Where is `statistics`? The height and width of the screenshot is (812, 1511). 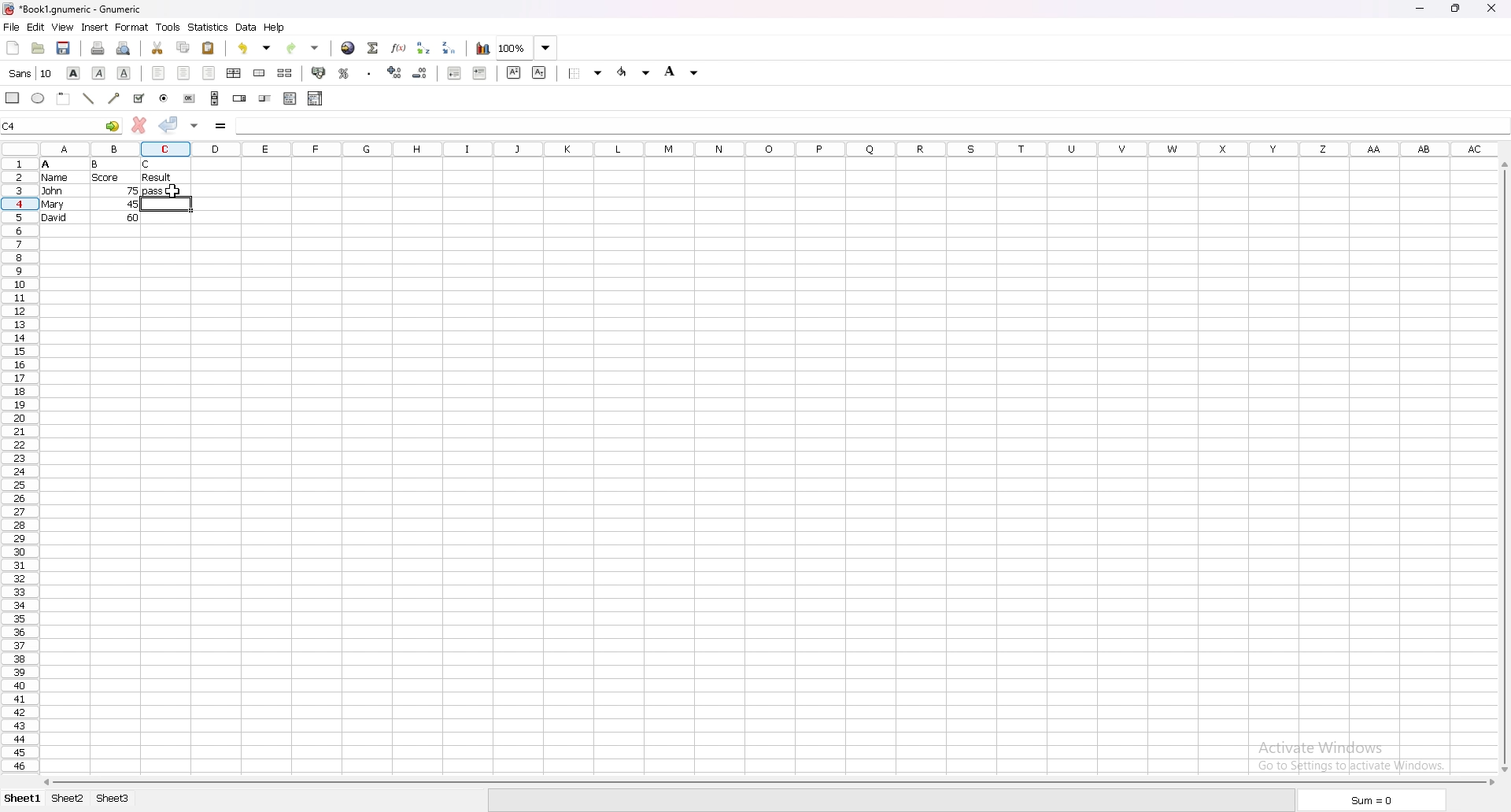 statistics is located at coordinates (208, 27).